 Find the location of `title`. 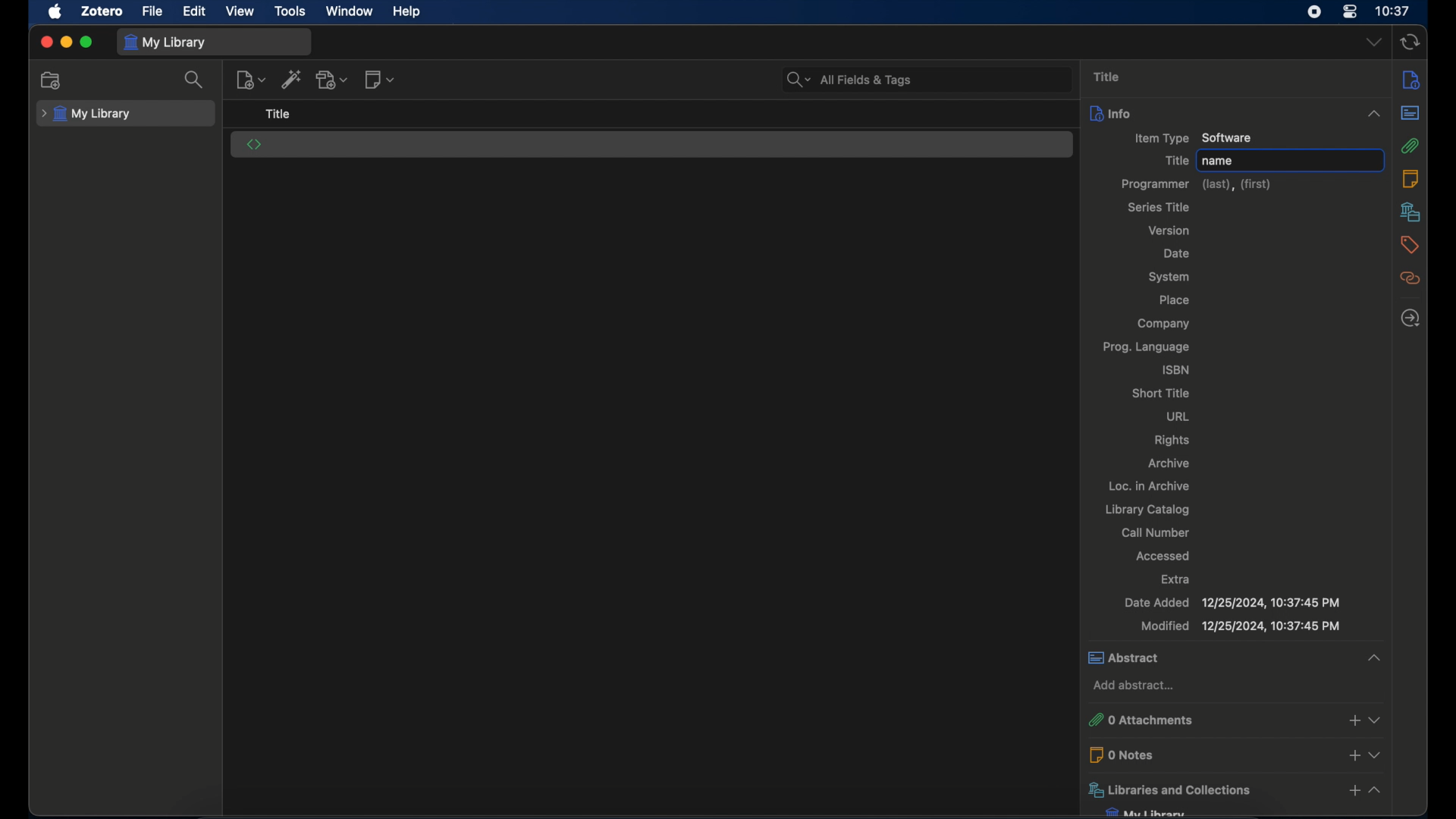

title is located at coordinates (1107, 77).